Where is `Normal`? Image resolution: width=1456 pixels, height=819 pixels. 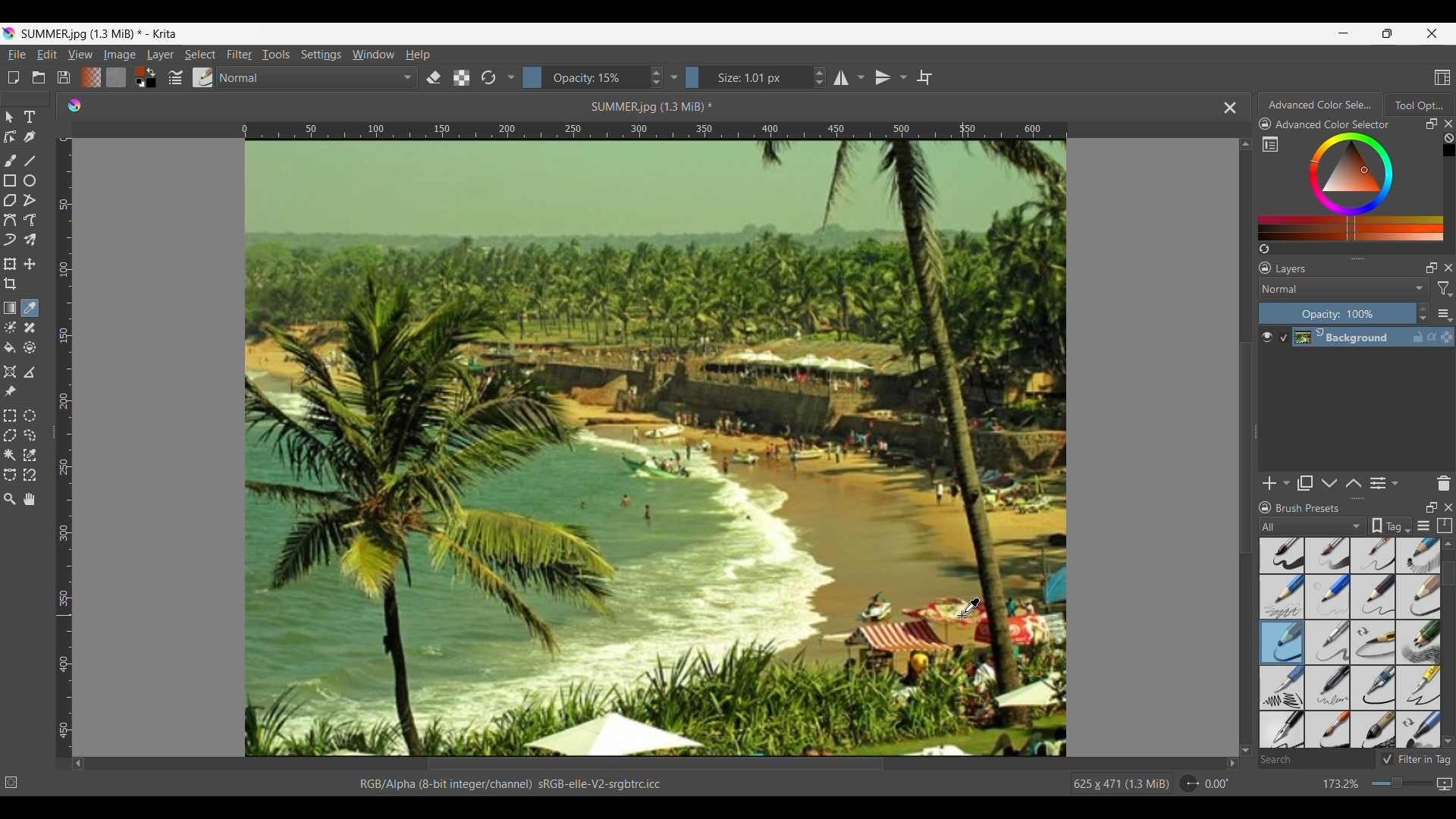 Normal is located at coordinates (1344, 288).